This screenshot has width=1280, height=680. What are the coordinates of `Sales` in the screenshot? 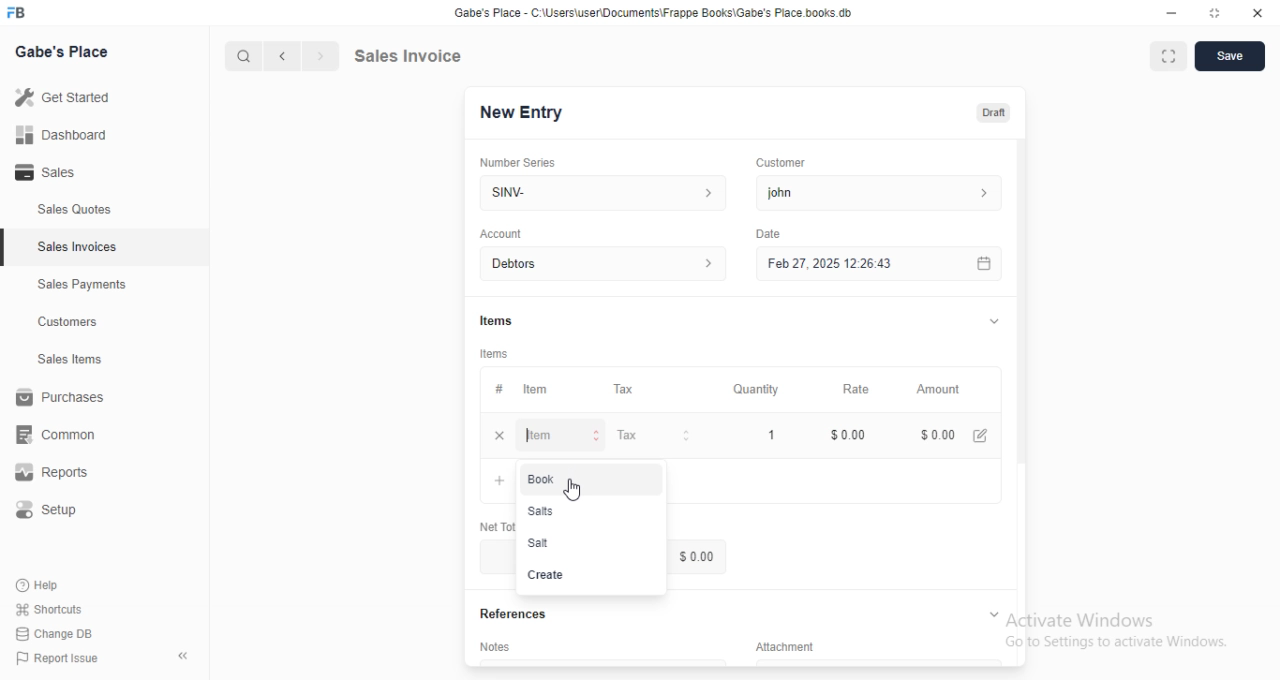 It's located at (48, 171).